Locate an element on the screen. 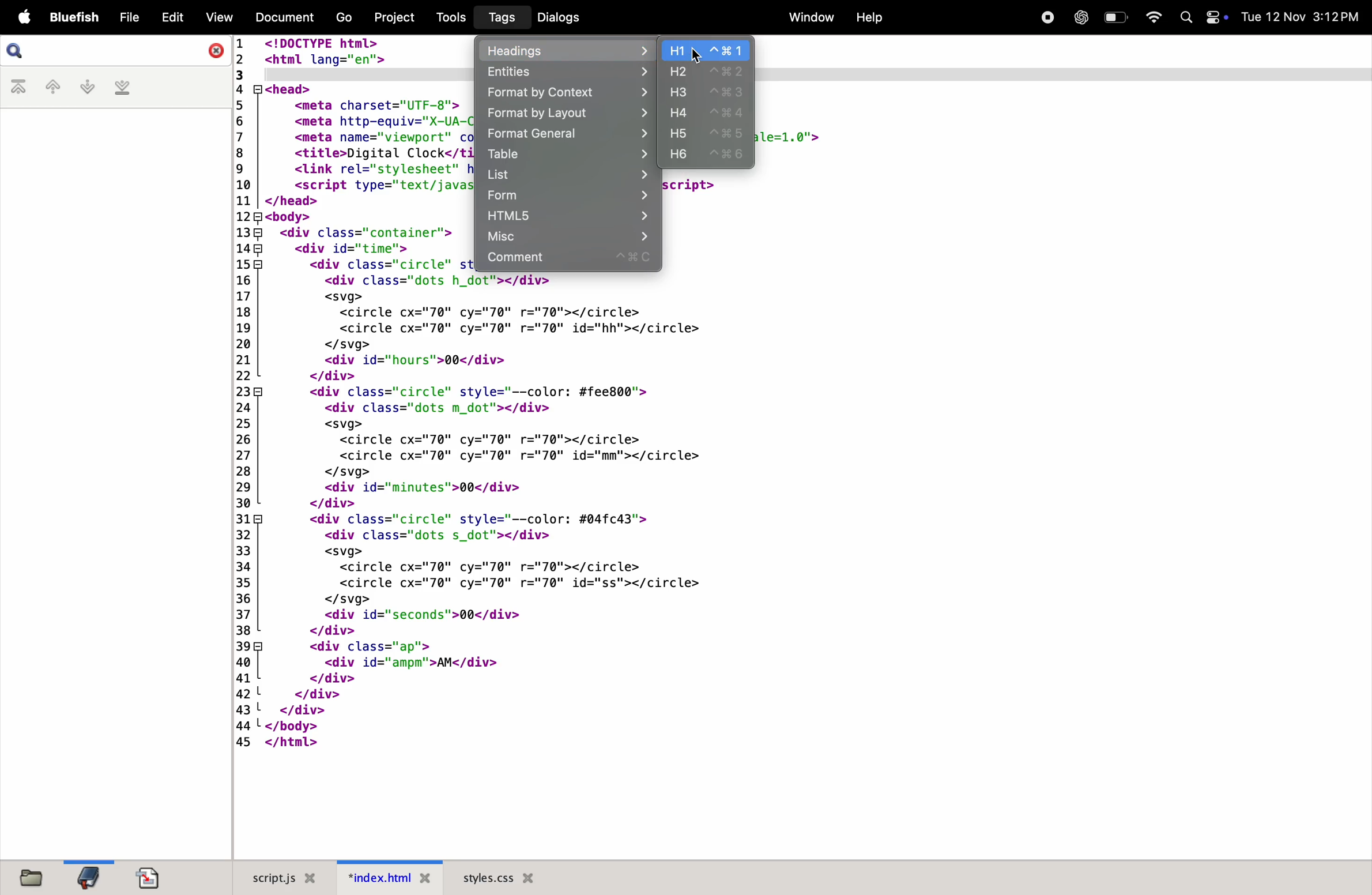 This screenshot has height=895, width=1372. script.js is located at coordinates (277, 878).